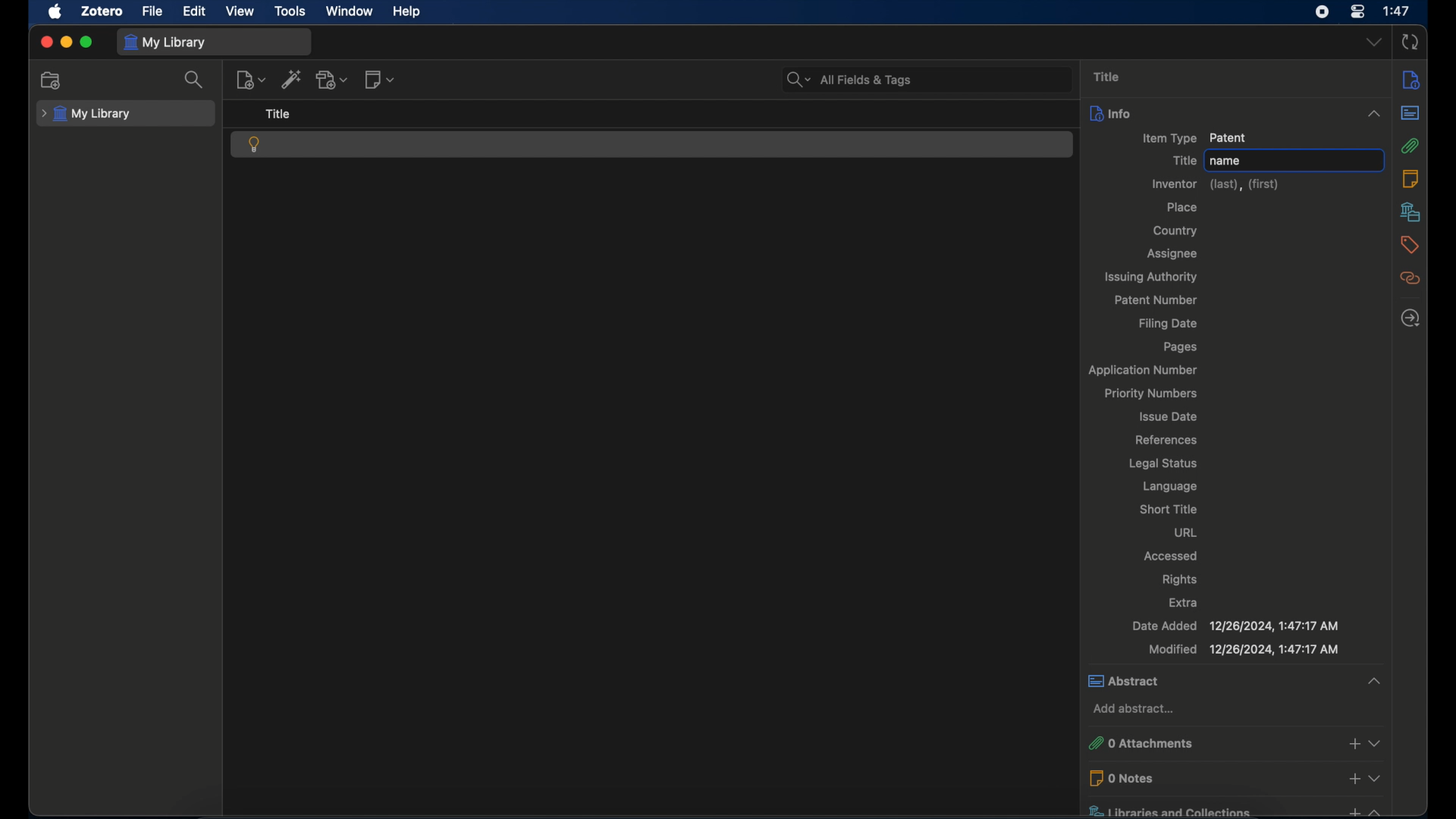  What do you see at coordinates (1410, 278) in the screenshot?
I see `related` at bounding box center [1410, 278].